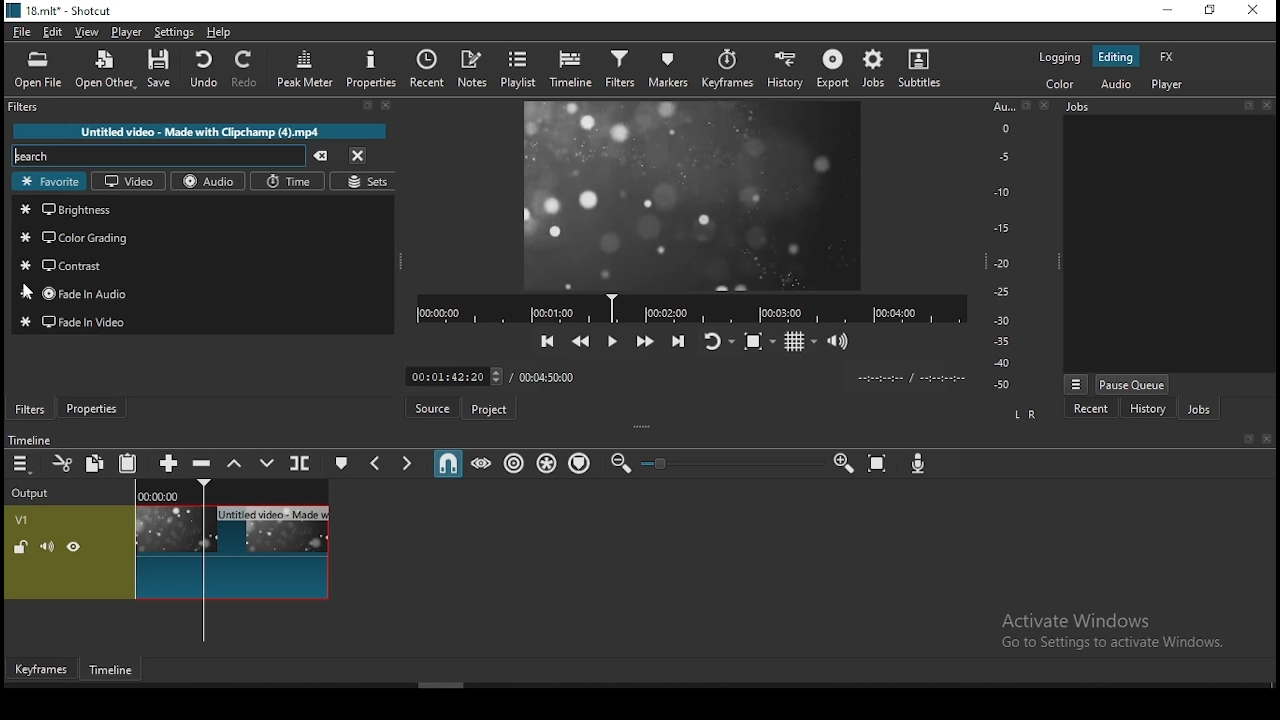  Describe the element at coordinates (104, 70) in the screenshot. I see `open other` at that location.